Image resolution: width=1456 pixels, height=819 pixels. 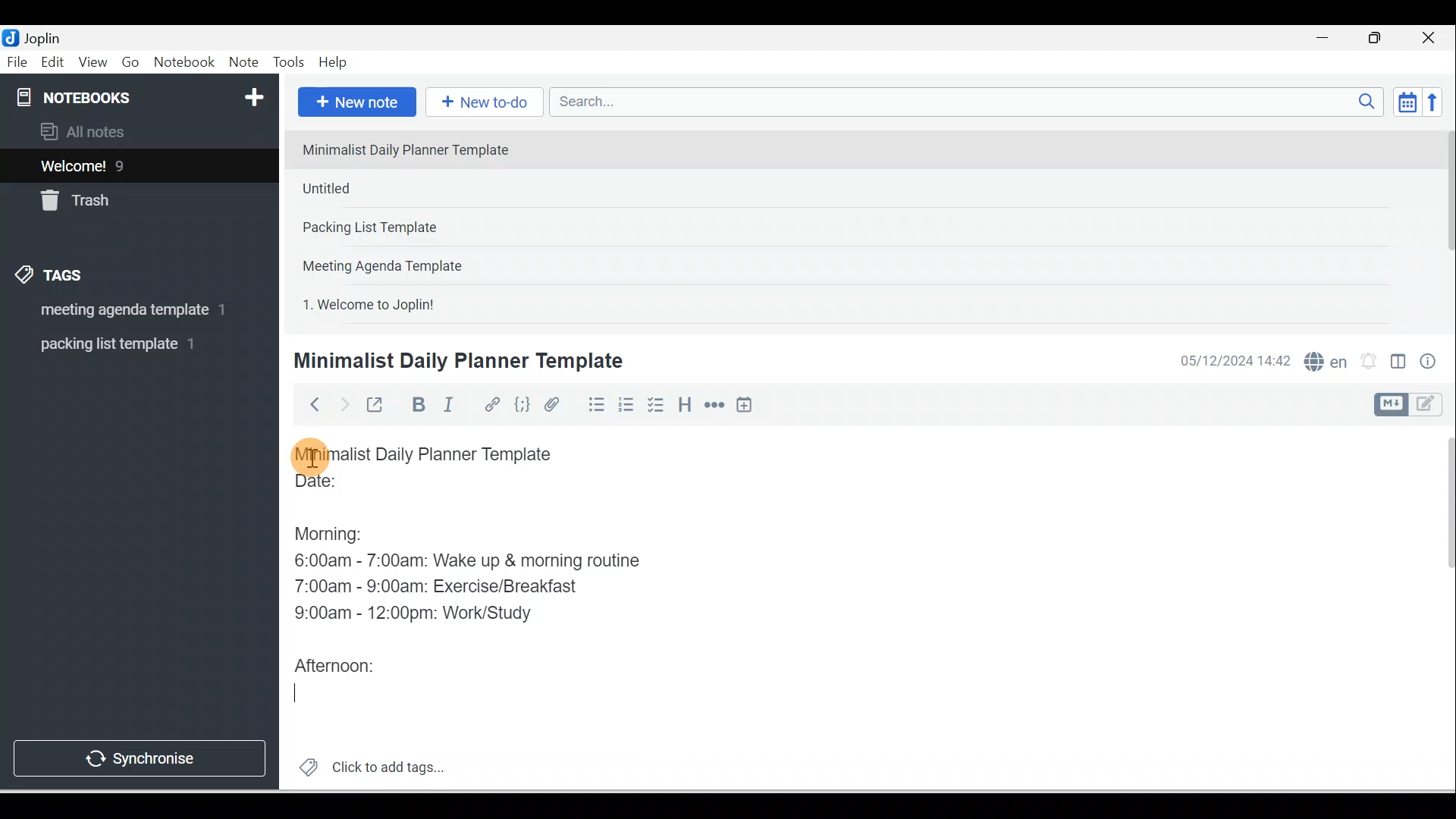 What do you see at coordinates (184, 63) in the screenshot?
I see `Notebook` at bounding box center [184, 63].